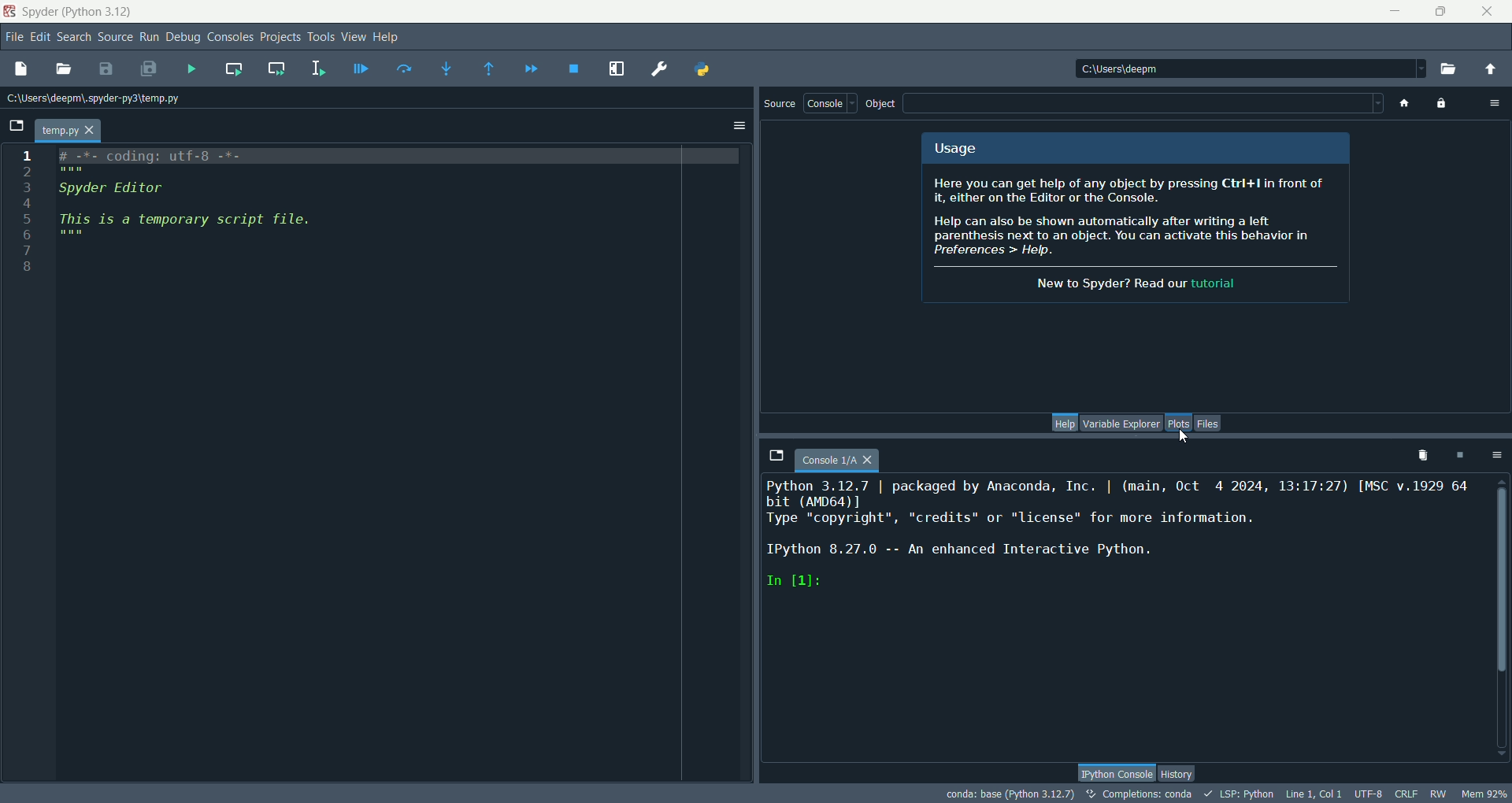 This screenshot has height=803, width=1512. I want to click on temp.py, so click(67, 129).